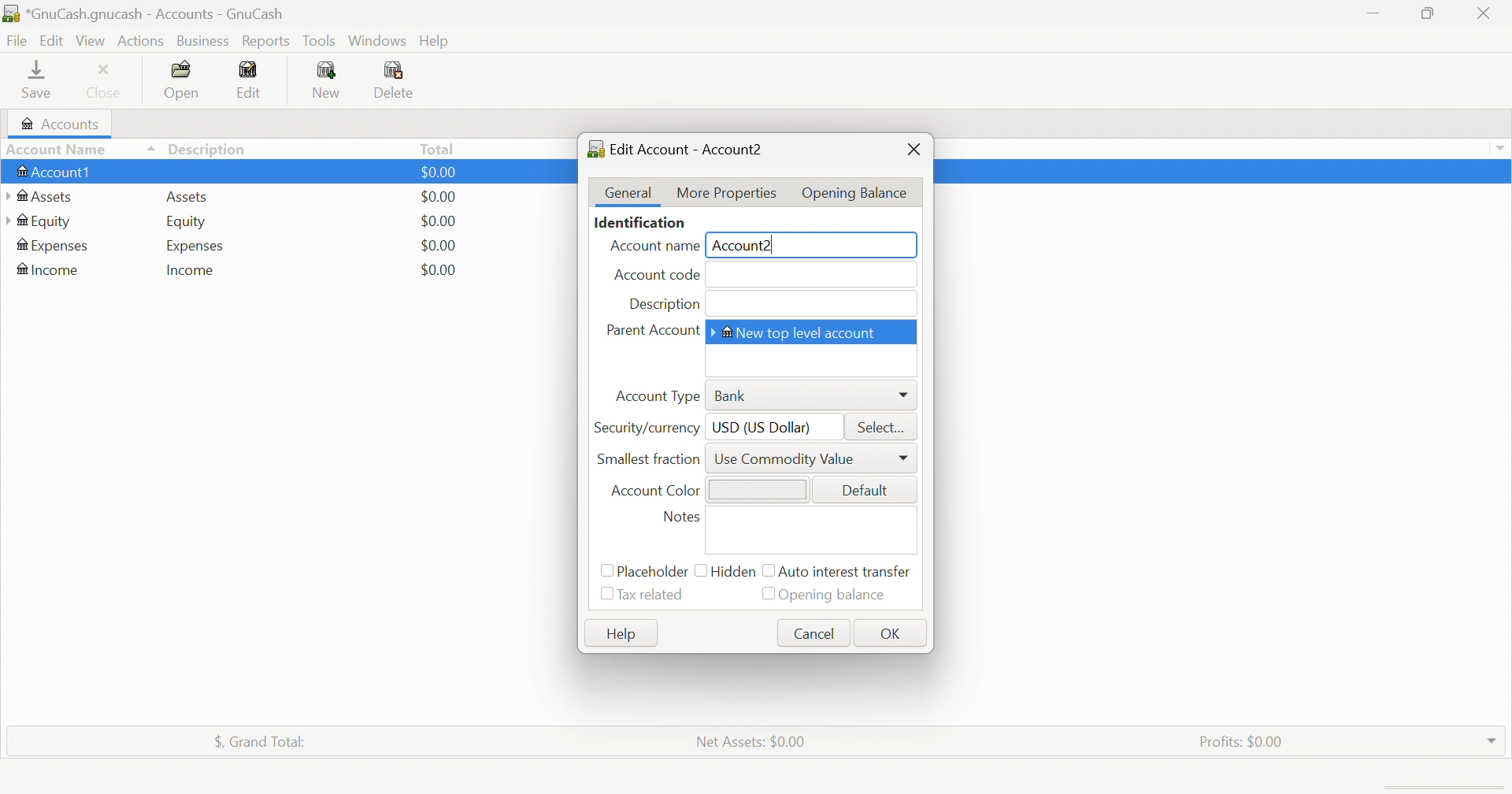 The height and width of the screenshot is (794, 1512). What do you see at coordinates (207, 149) in the screenshot?
I see `Description` at bounding box center [207, 149].